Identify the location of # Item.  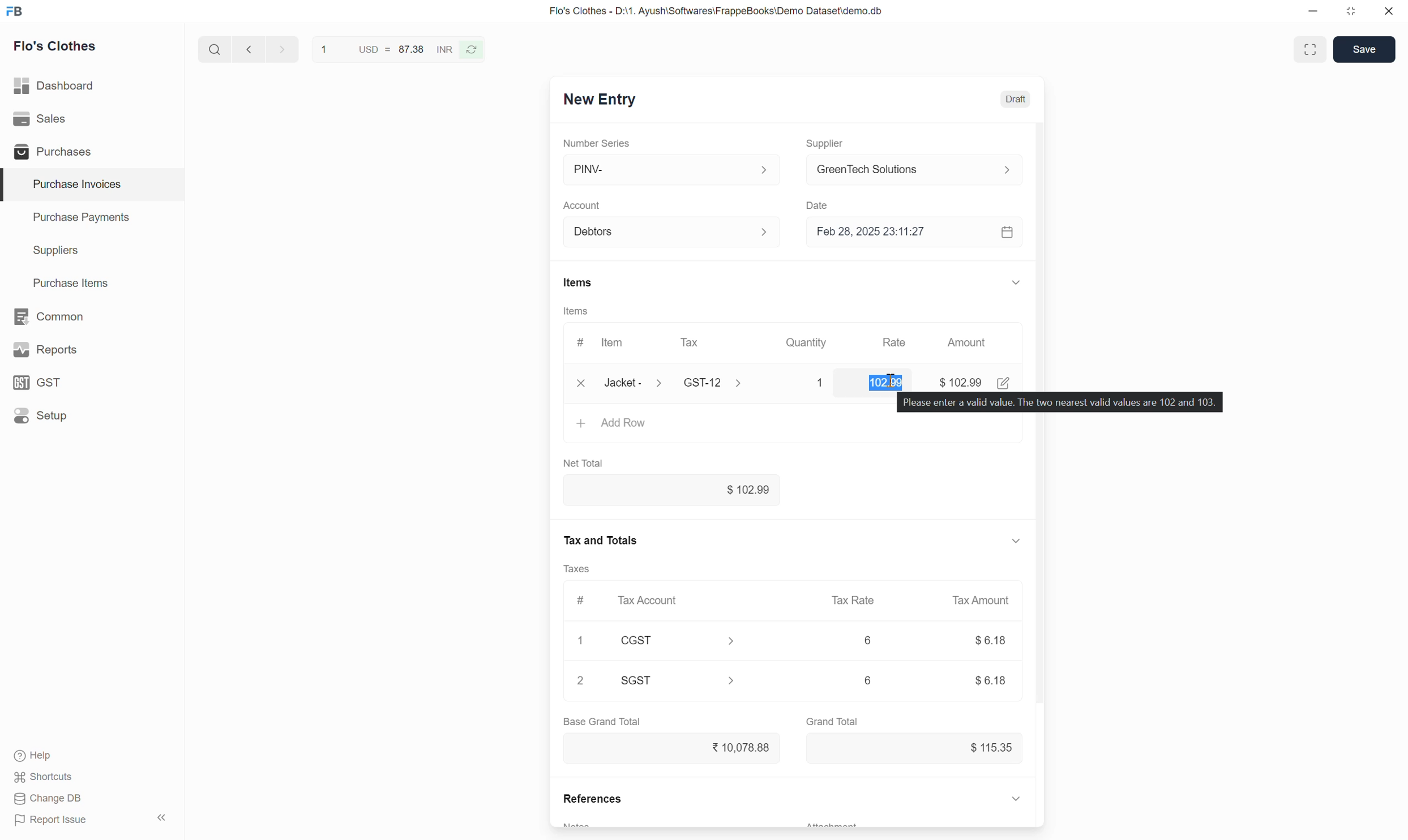
(604, 344).